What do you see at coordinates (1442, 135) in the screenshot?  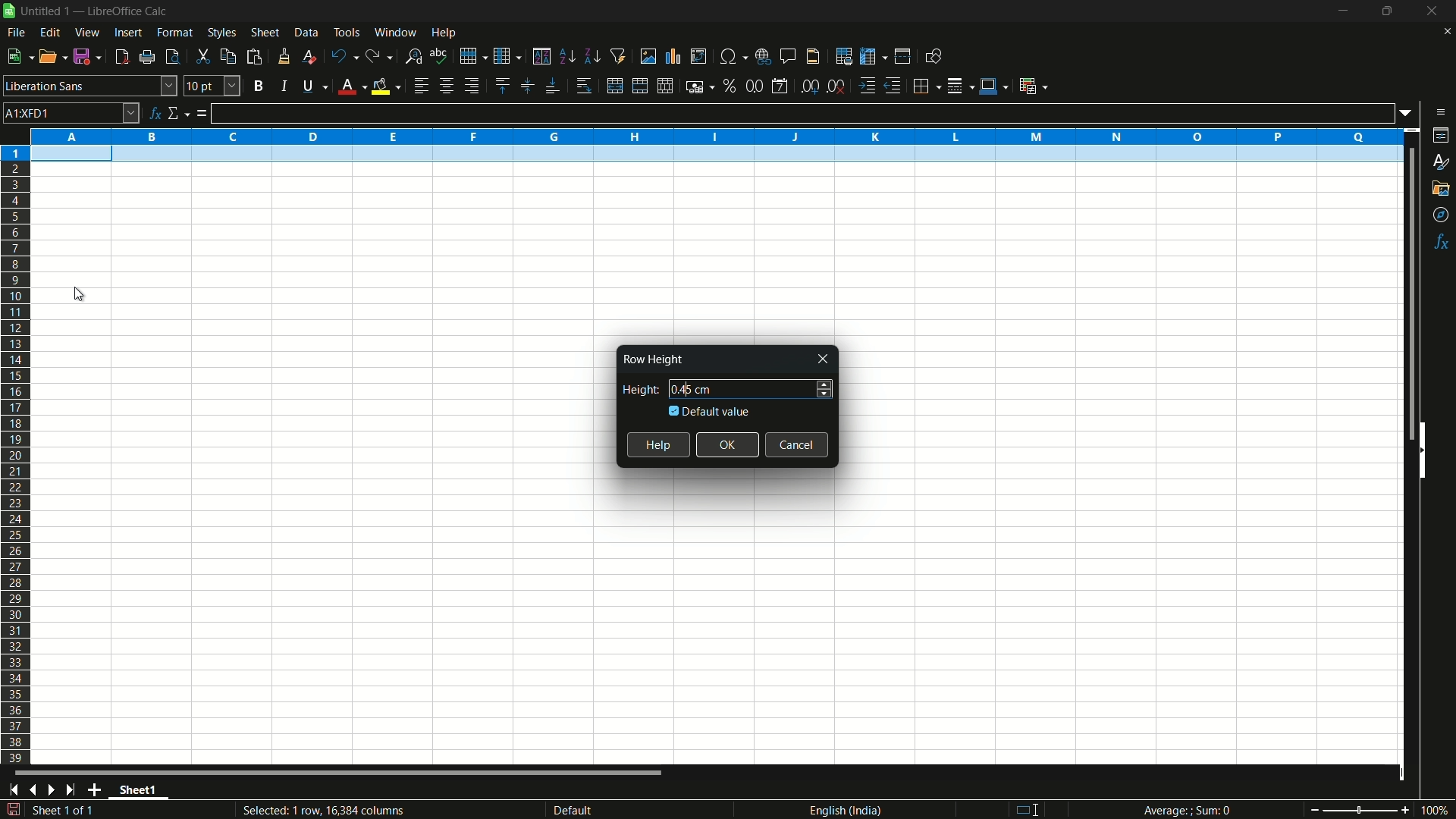 I see `properties` at bounding box center [1442, 135].